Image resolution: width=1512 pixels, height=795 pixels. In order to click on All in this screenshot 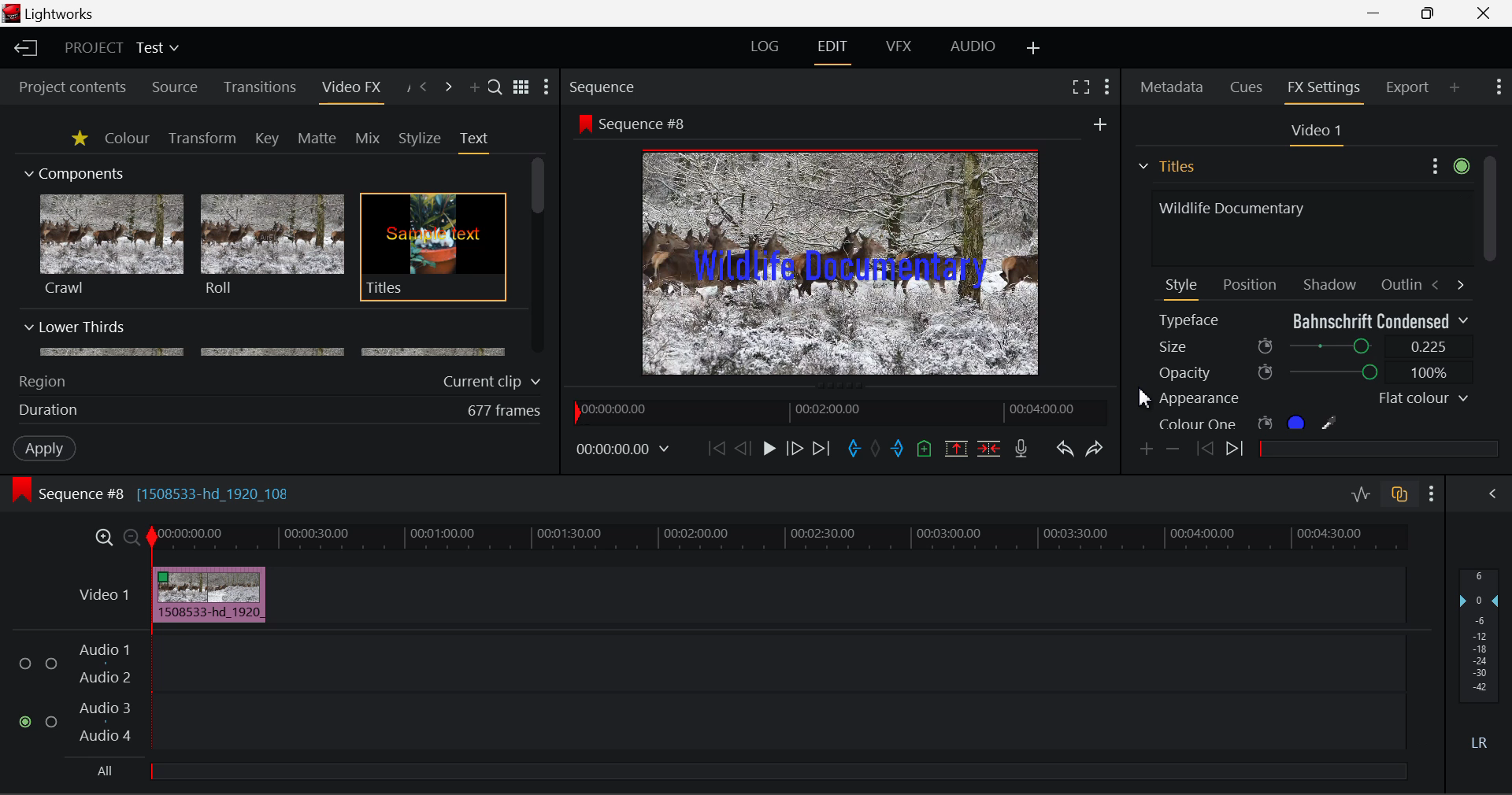, I will do `click(106, 771)`.